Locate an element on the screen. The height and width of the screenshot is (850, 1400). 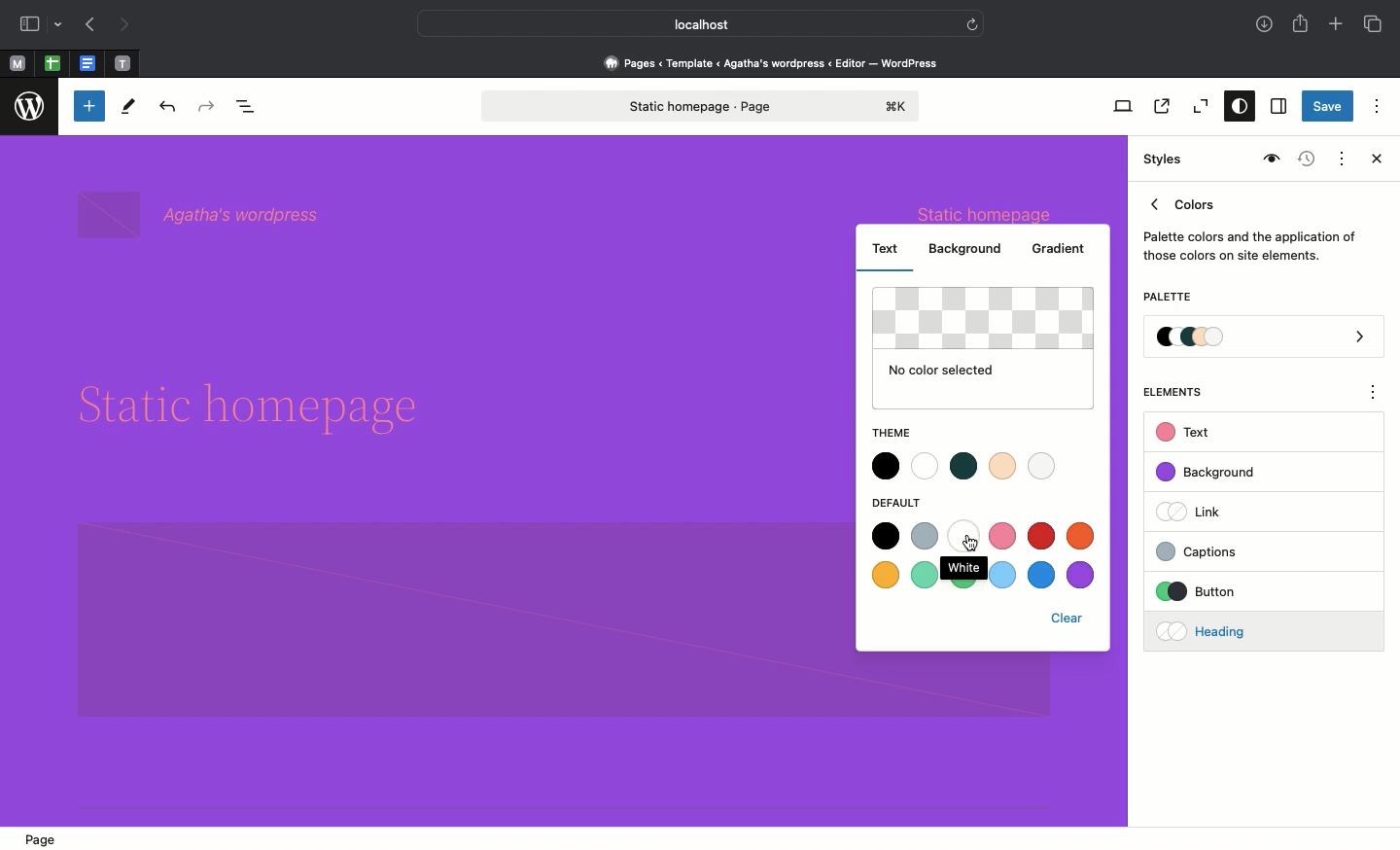
Default is located at coordinates (906, 503).